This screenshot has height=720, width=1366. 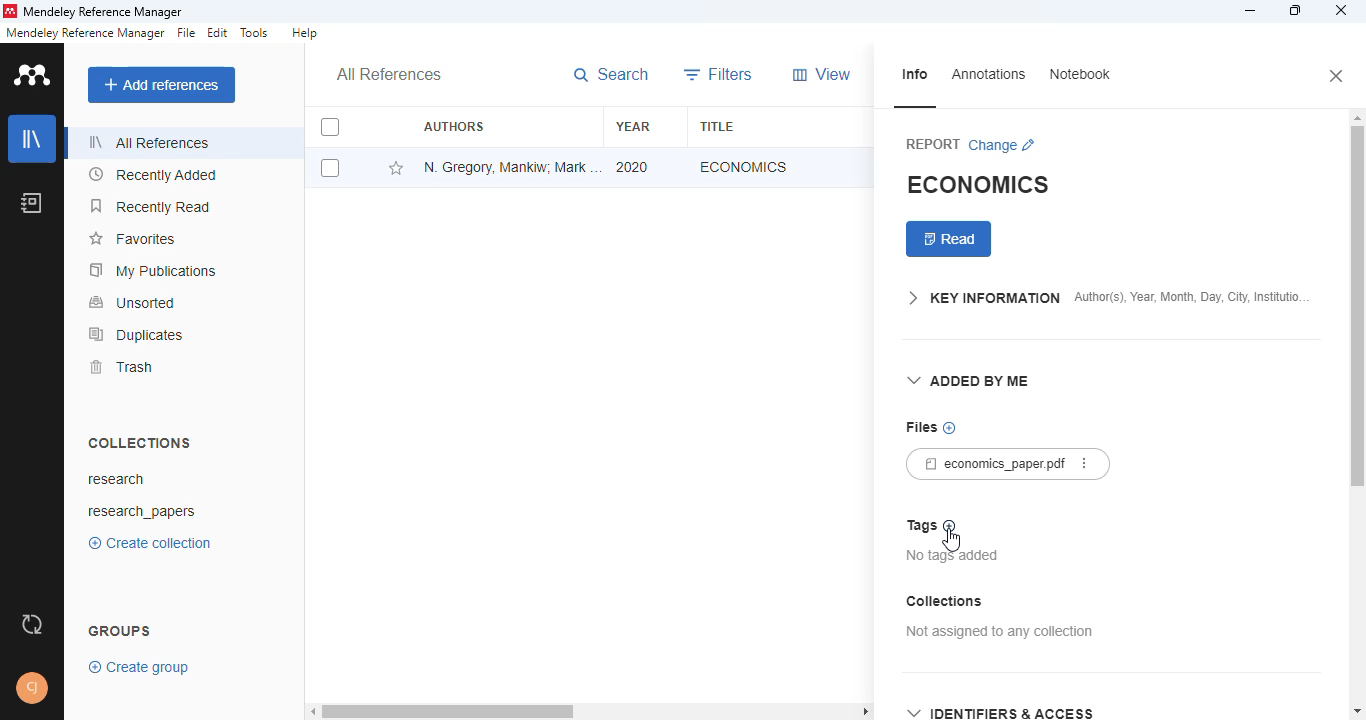 I want to click on horizontal scroll bar, so click(x=593, y=710).